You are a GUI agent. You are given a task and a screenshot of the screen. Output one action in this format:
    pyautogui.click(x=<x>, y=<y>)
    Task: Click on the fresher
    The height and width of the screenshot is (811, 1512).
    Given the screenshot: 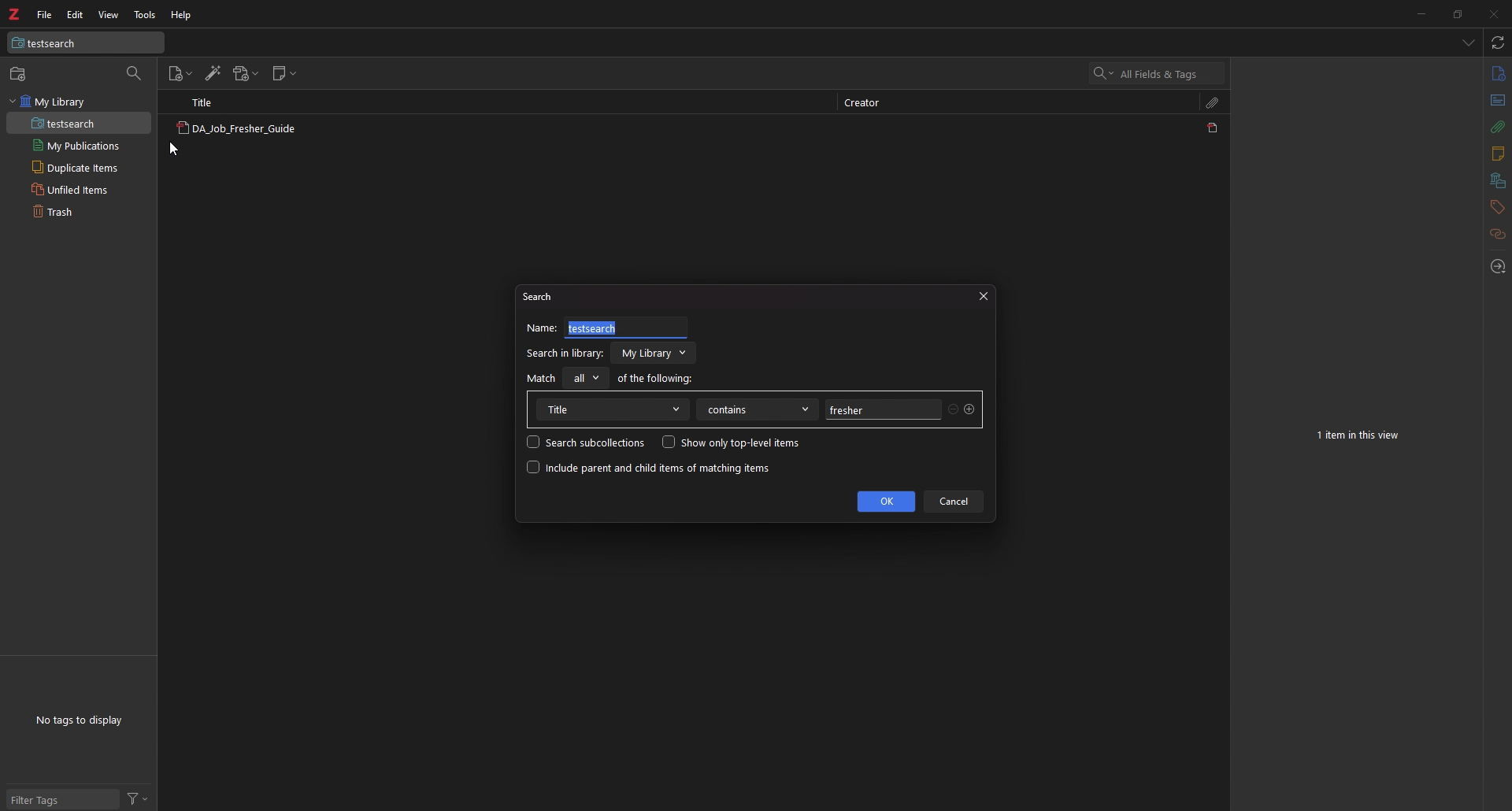 What is the action you would take?
    pyautogui.click(x=881, y=409)
    